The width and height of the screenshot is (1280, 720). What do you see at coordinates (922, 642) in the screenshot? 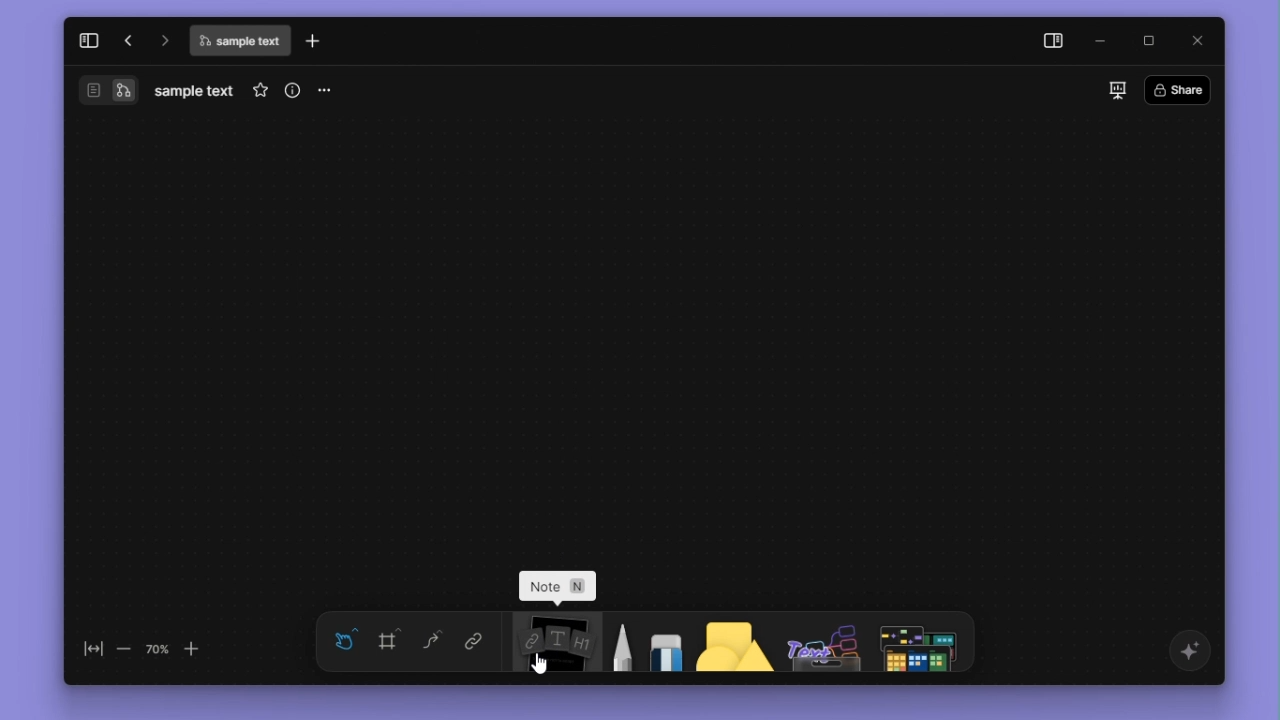
I see `more shapes` at bounding box center [922, 642].